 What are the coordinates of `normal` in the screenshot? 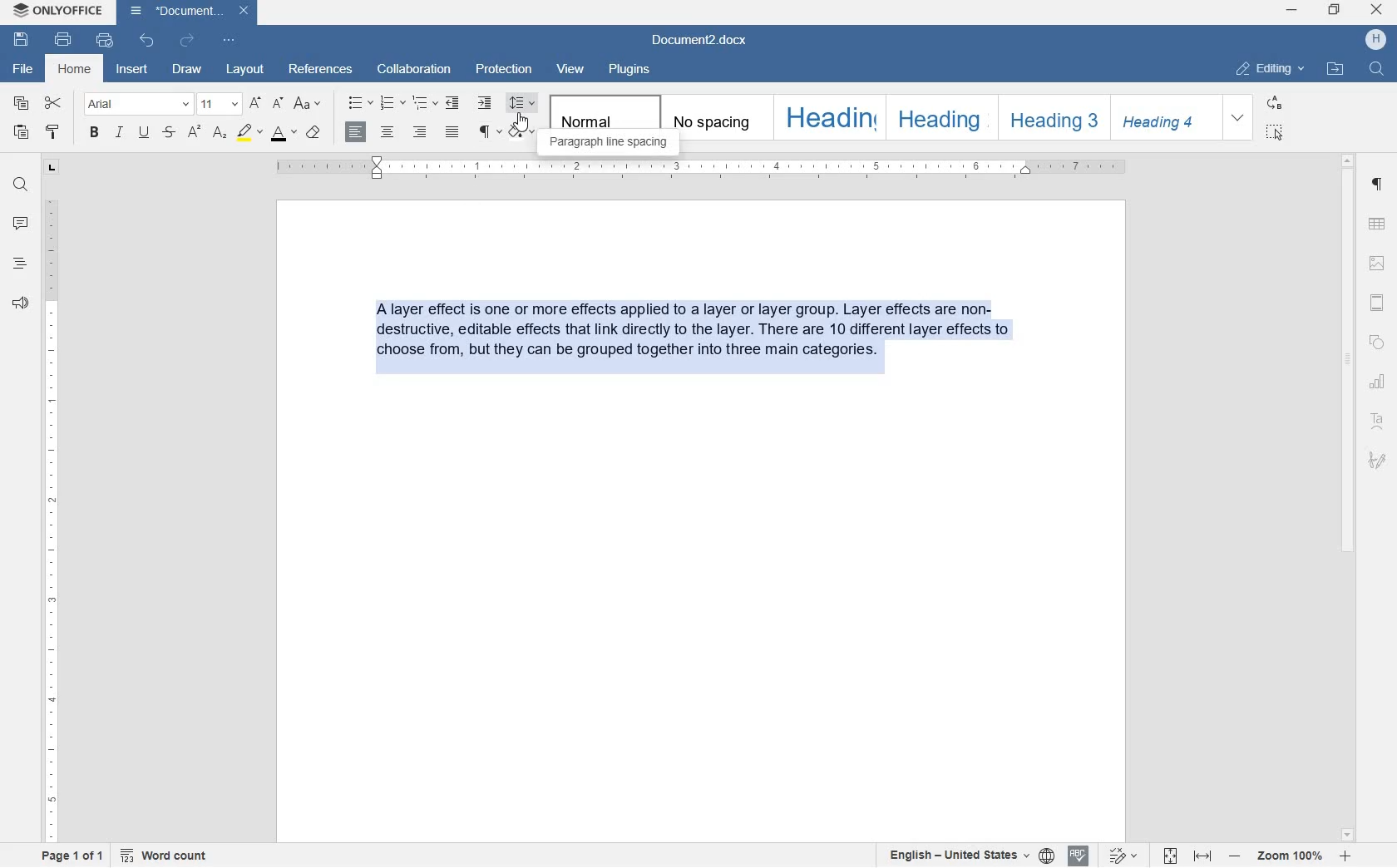 It's located at (601, 111).